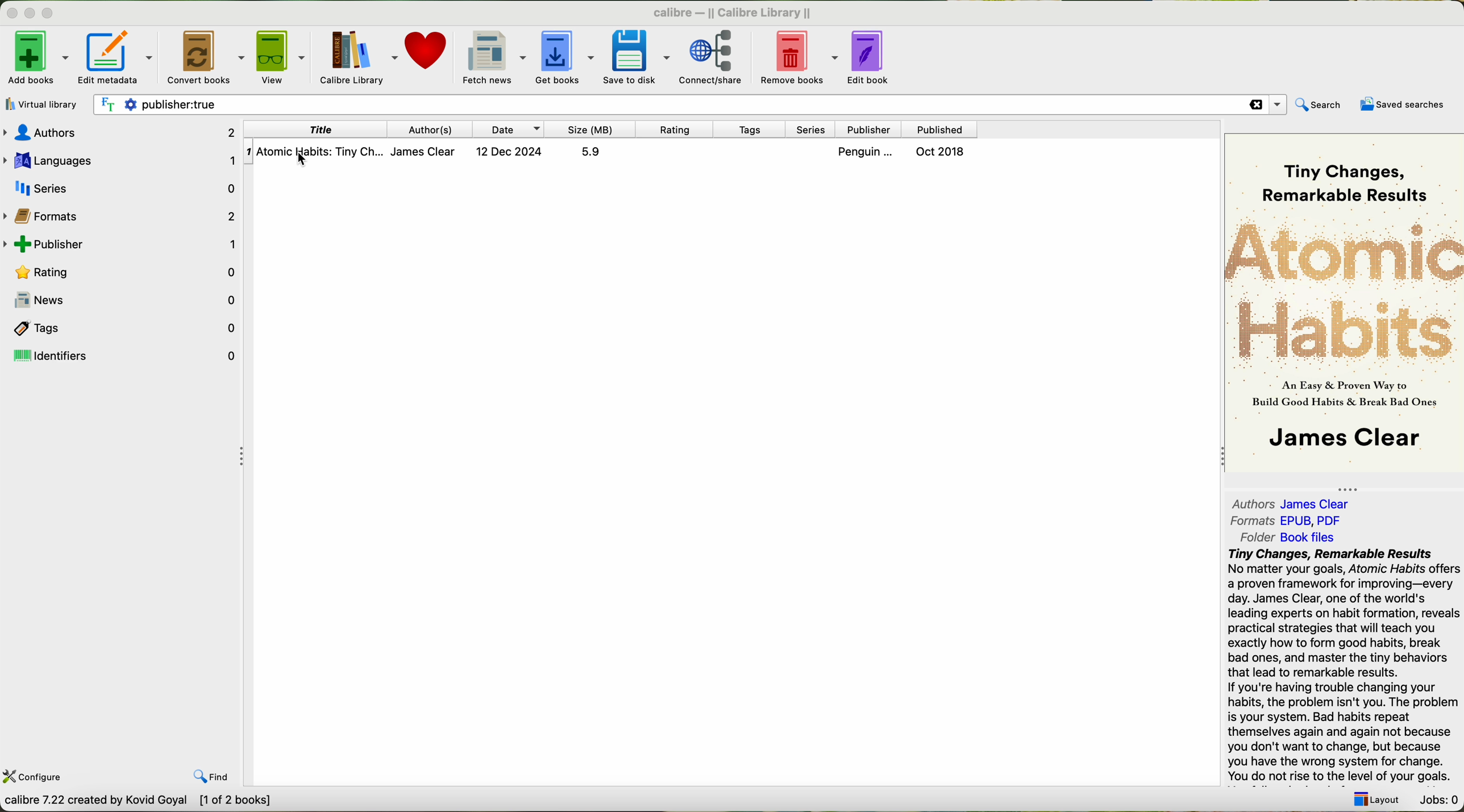 Image resolution: width=1464 pixels, height=812 pixels. I want to click on click on the book, so click(610, 153).